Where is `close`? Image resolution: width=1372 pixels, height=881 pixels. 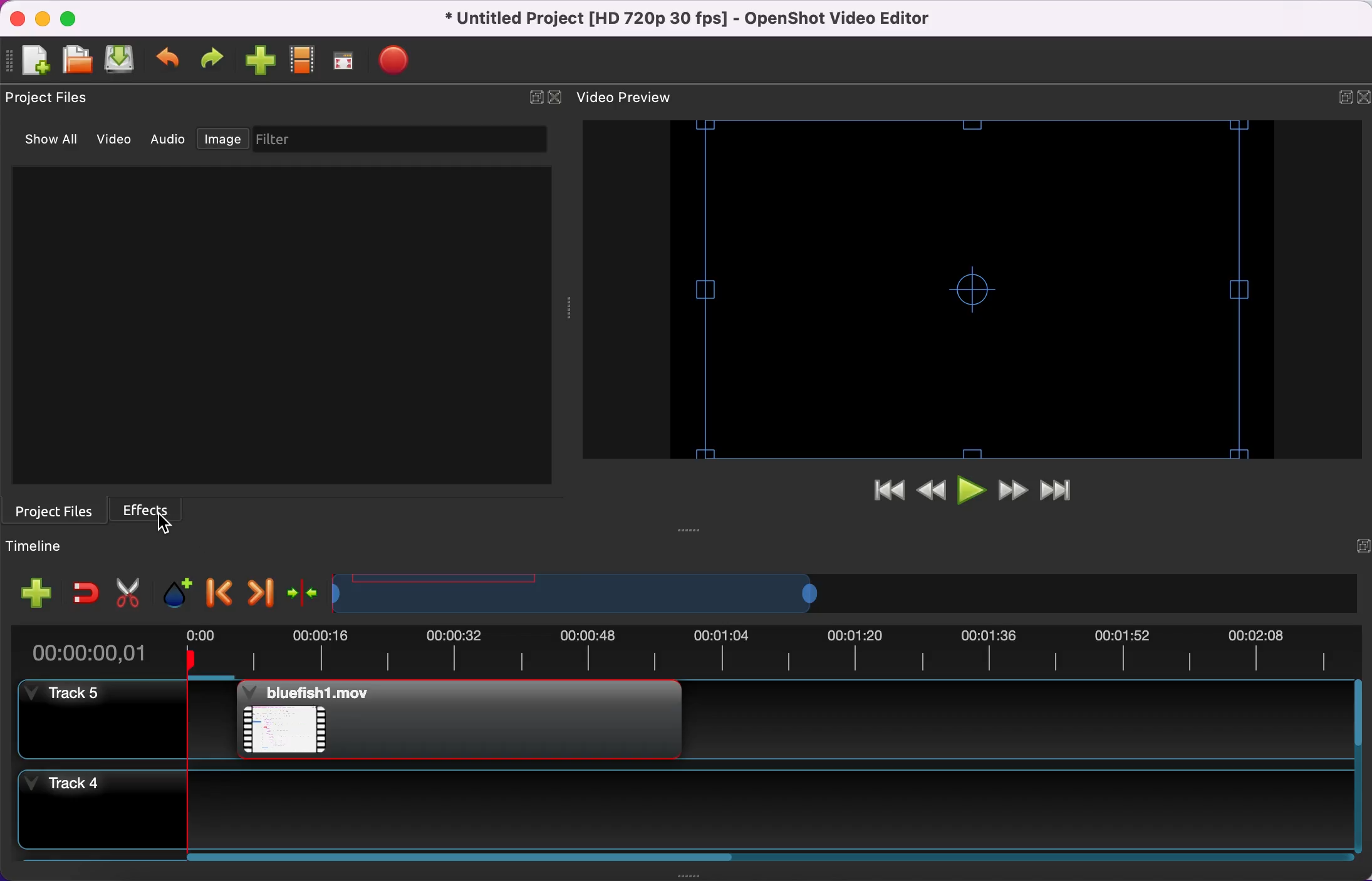
close is located at coordinates (14, 19).